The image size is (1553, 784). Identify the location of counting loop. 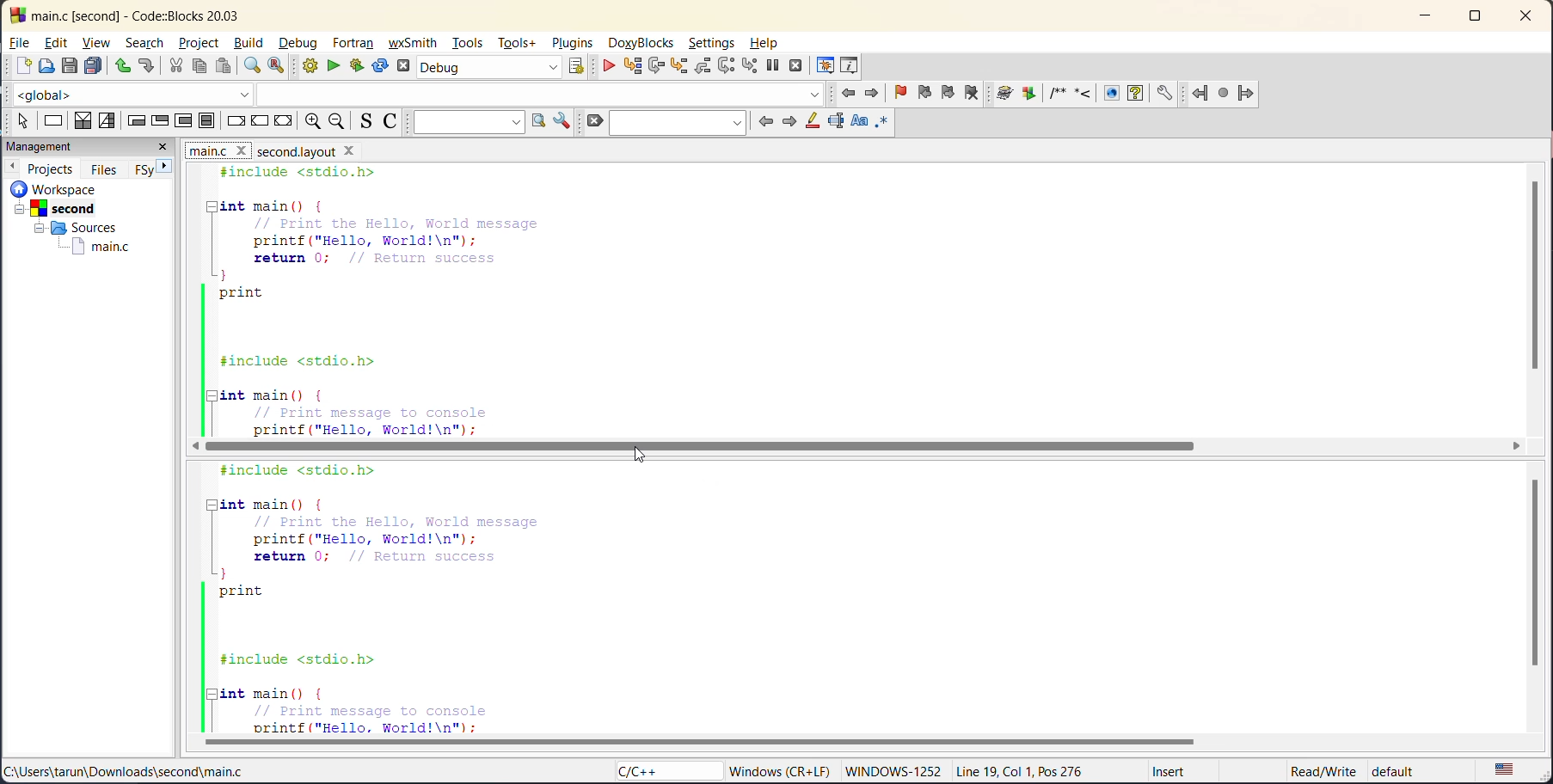
(185, 121).